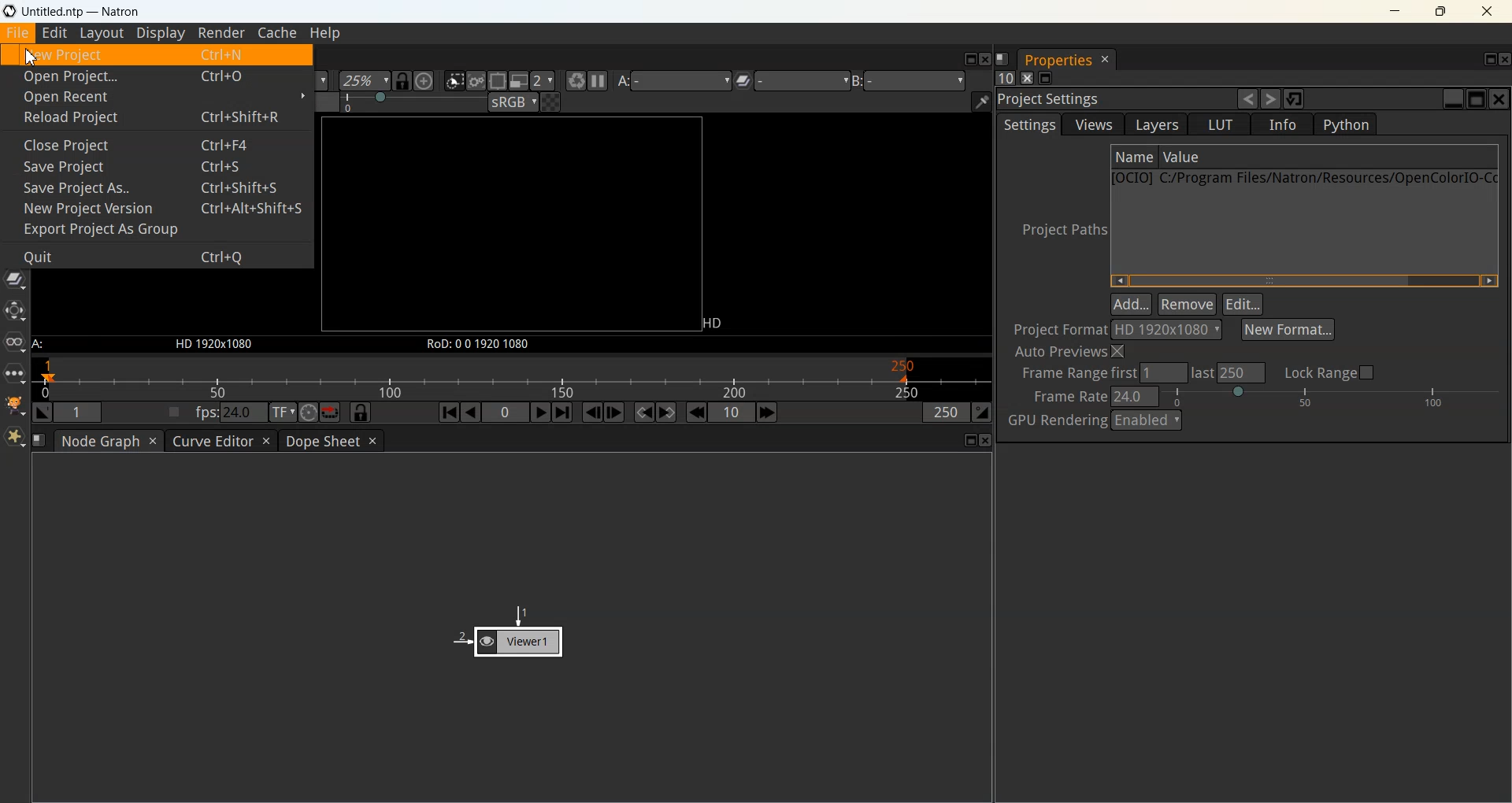 The width and height of the screenshot is (1512, 803). What do you see at coordinates (1121, 329) in the screenshot?
I see `File Pixels` at bounding box center [1121, 329].